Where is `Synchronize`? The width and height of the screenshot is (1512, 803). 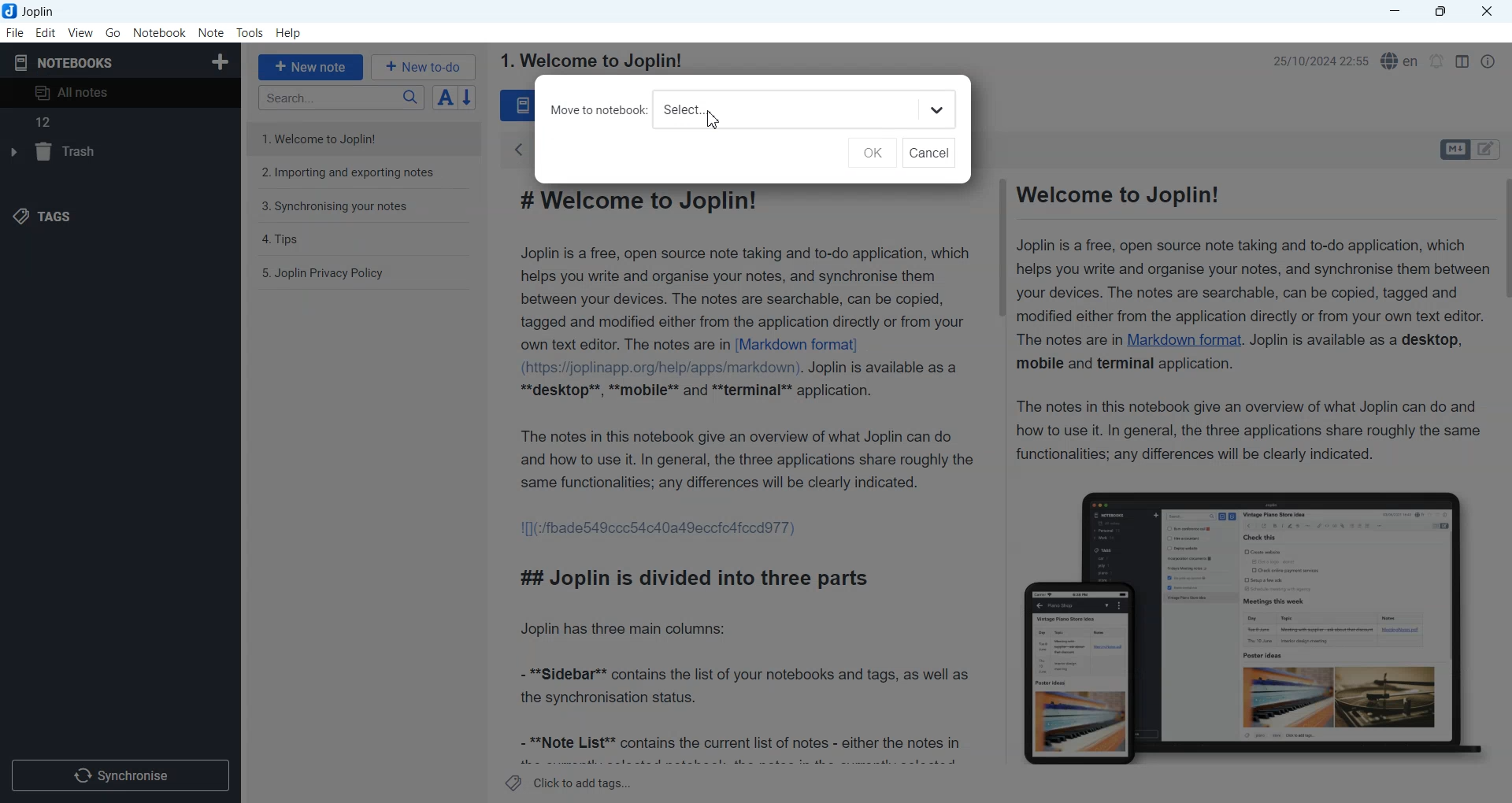 Synchronize is located at coordinates (120, 774).